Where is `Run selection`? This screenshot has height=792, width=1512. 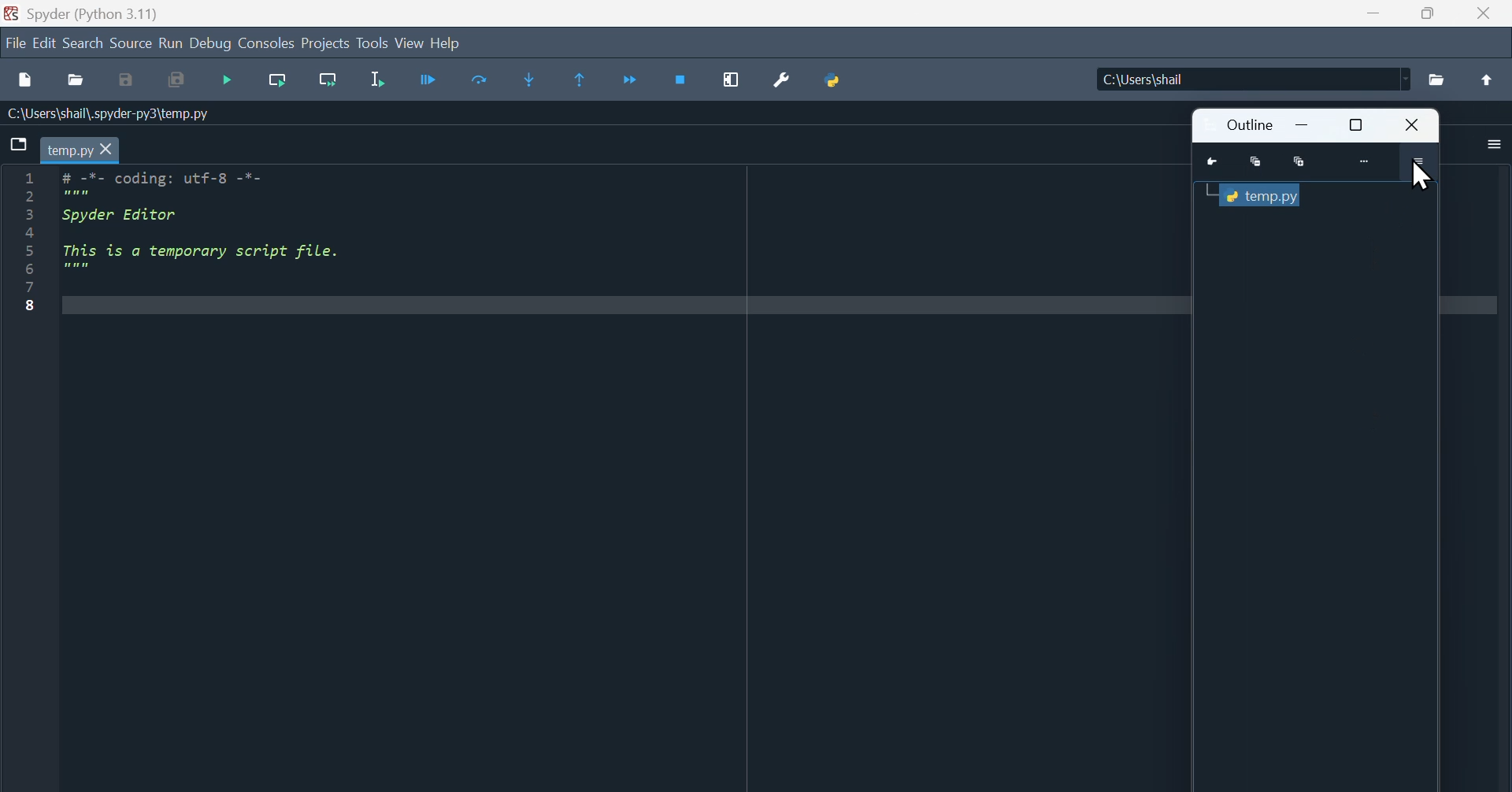
Run selection is located at coordinates (376, 79).